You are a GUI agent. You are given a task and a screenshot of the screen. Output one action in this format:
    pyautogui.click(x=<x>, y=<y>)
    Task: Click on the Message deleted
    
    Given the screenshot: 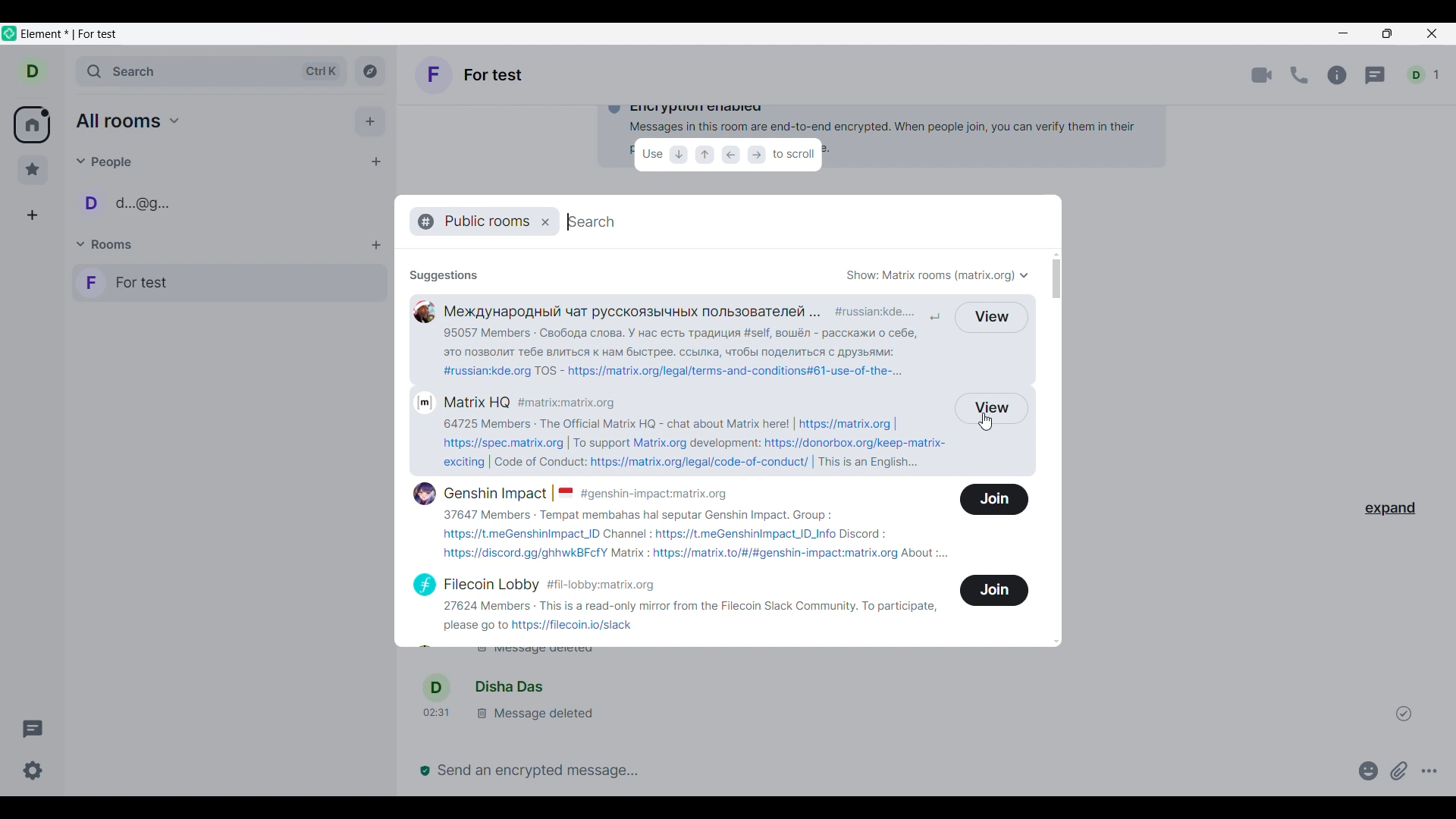 What is the action you would take?
    pyautogui.click(x=573, y=655)
    